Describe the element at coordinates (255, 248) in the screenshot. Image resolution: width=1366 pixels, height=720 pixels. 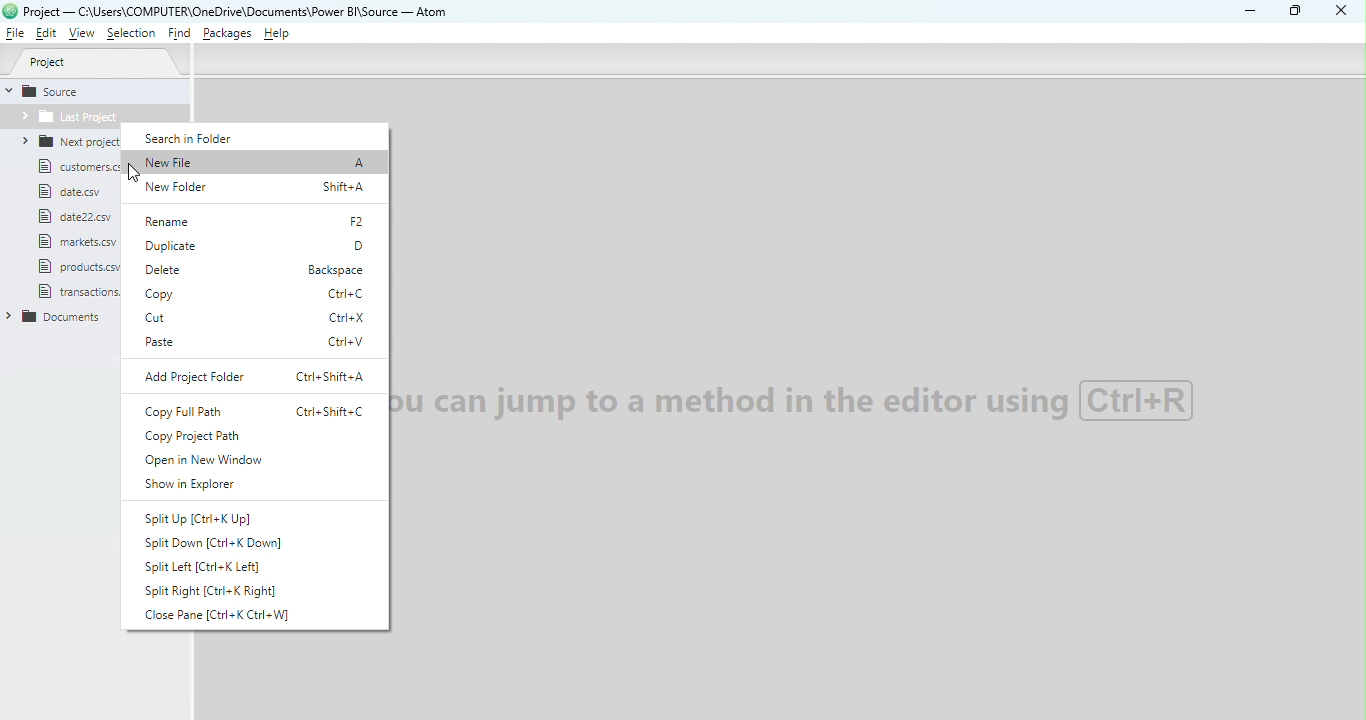
I see `Duplicate` at that location.